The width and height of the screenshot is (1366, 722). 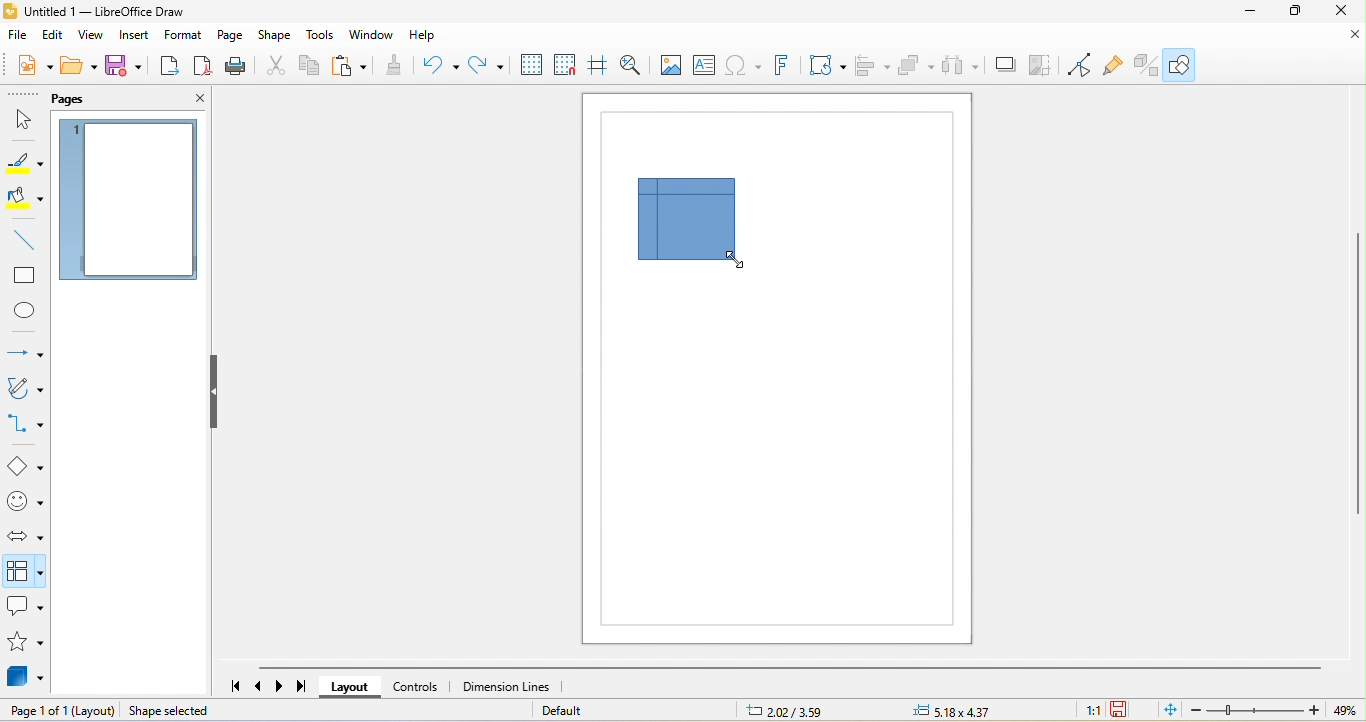 What do you see at coordinates (1148, 66) in the screenshot?
I see `toggle extrusion` at bounding box center [1148, 66].